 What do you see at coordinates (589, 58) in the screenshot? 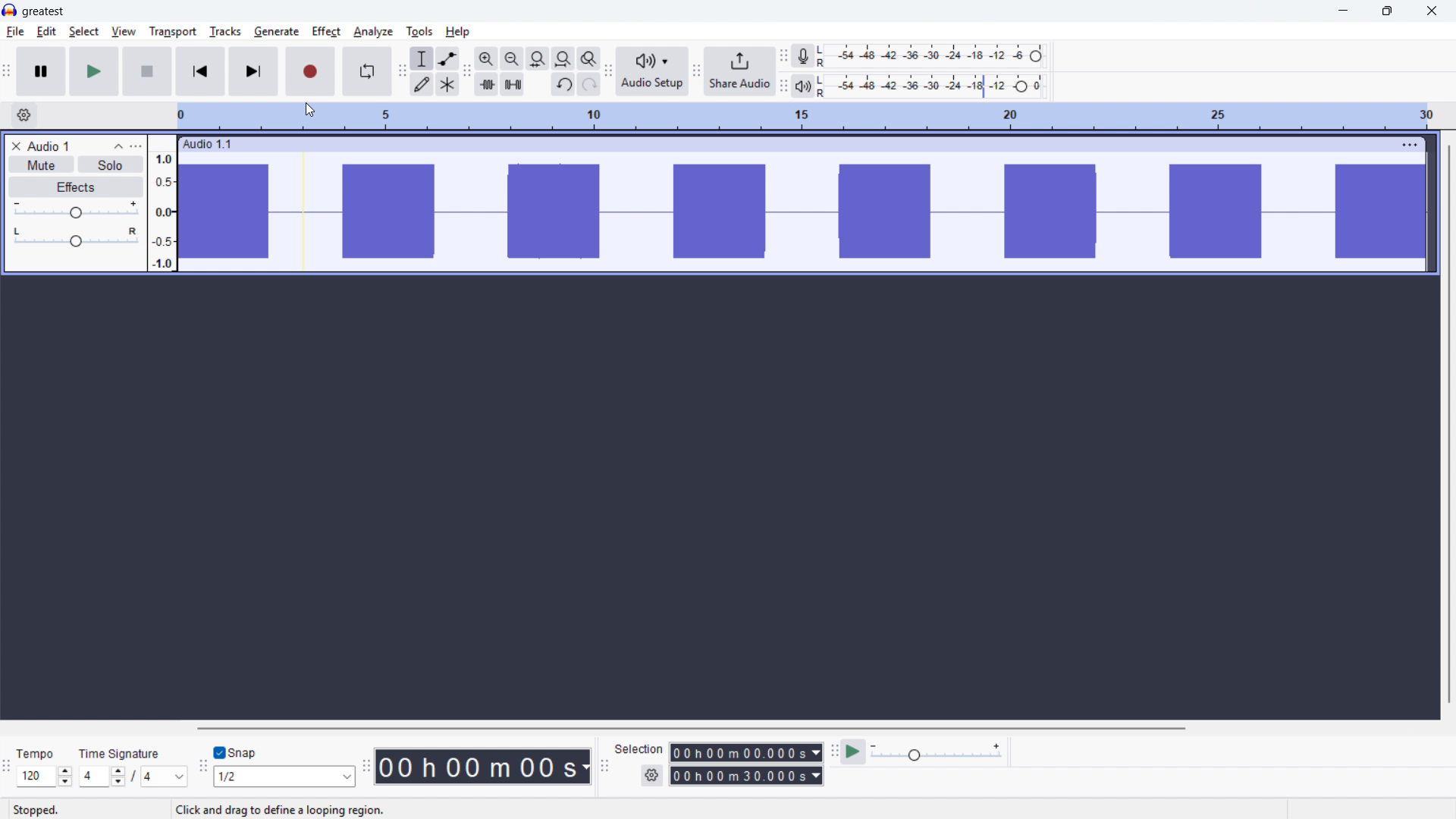
I see `toggle zoom` at bounding box center [589, 58].